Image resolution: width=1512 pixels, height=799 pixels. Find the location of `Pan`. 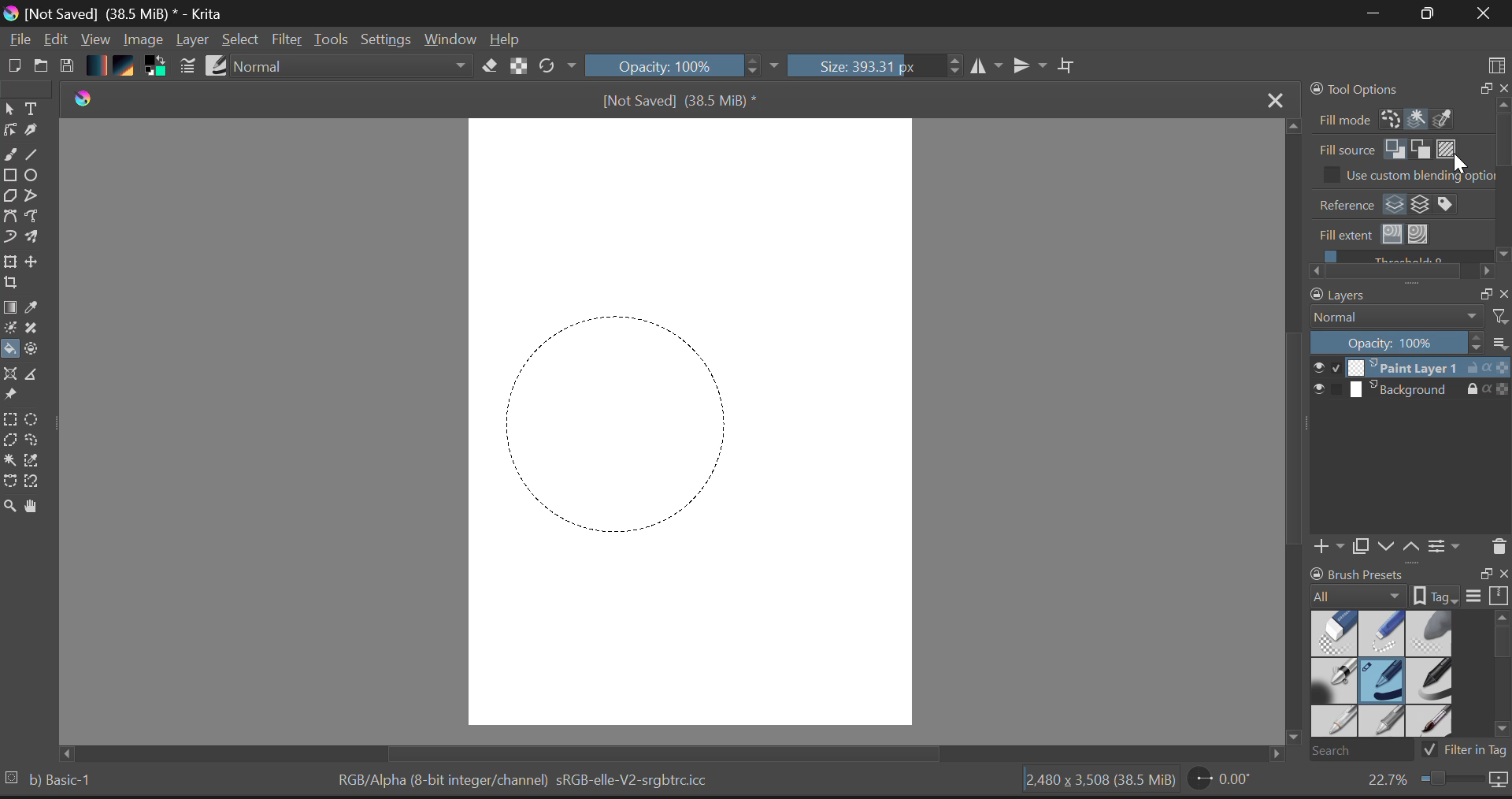

Pan is located at coordinates (35, 507).